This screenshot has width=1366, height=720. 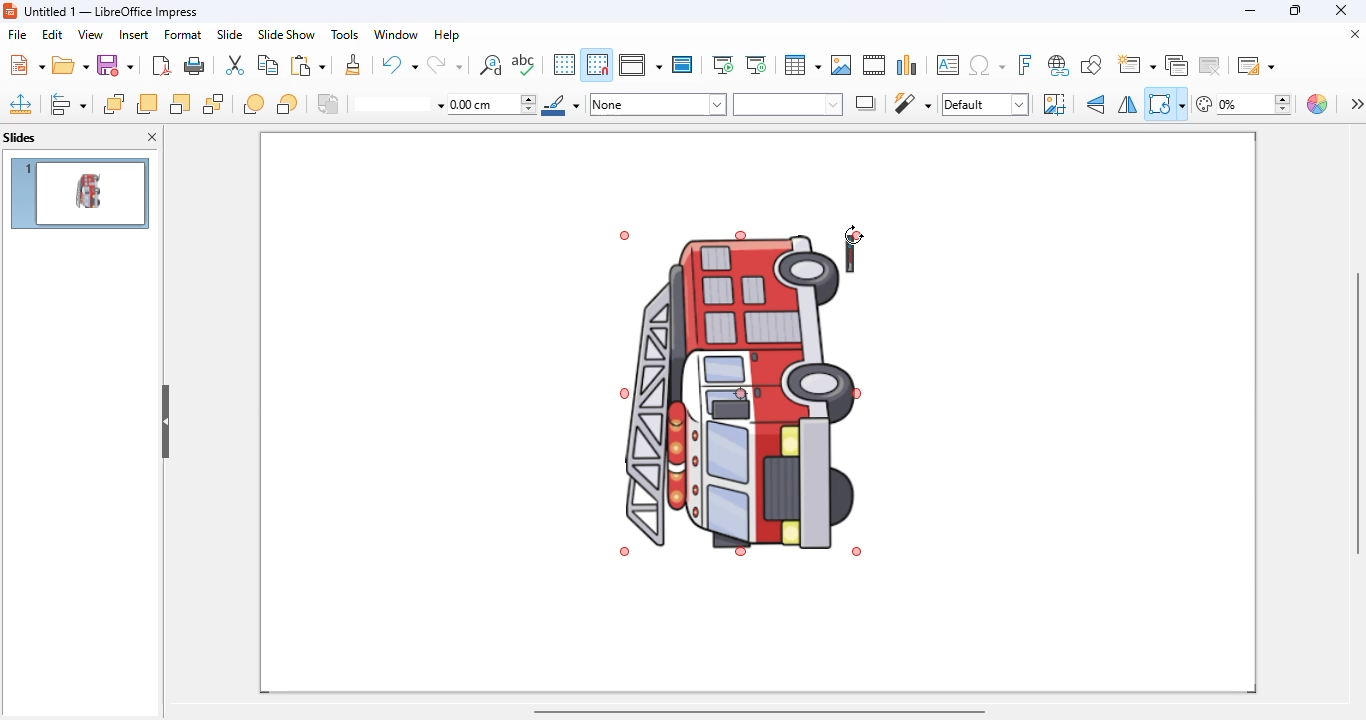 I want to click on open, so click(x=71, y=66).